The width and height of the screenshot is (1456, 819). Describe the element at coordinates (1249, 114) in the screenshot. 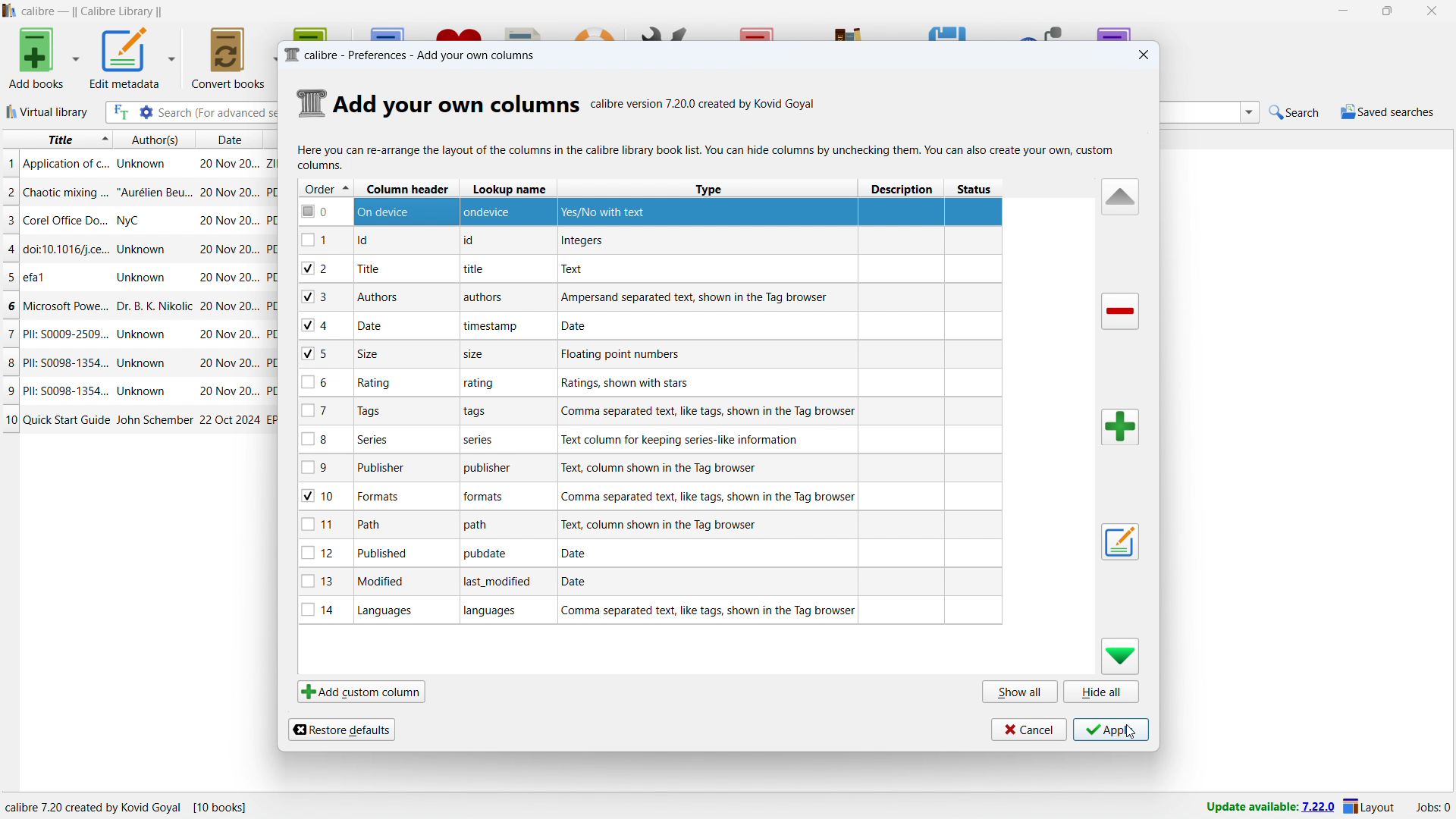

I see `search history` at that location.